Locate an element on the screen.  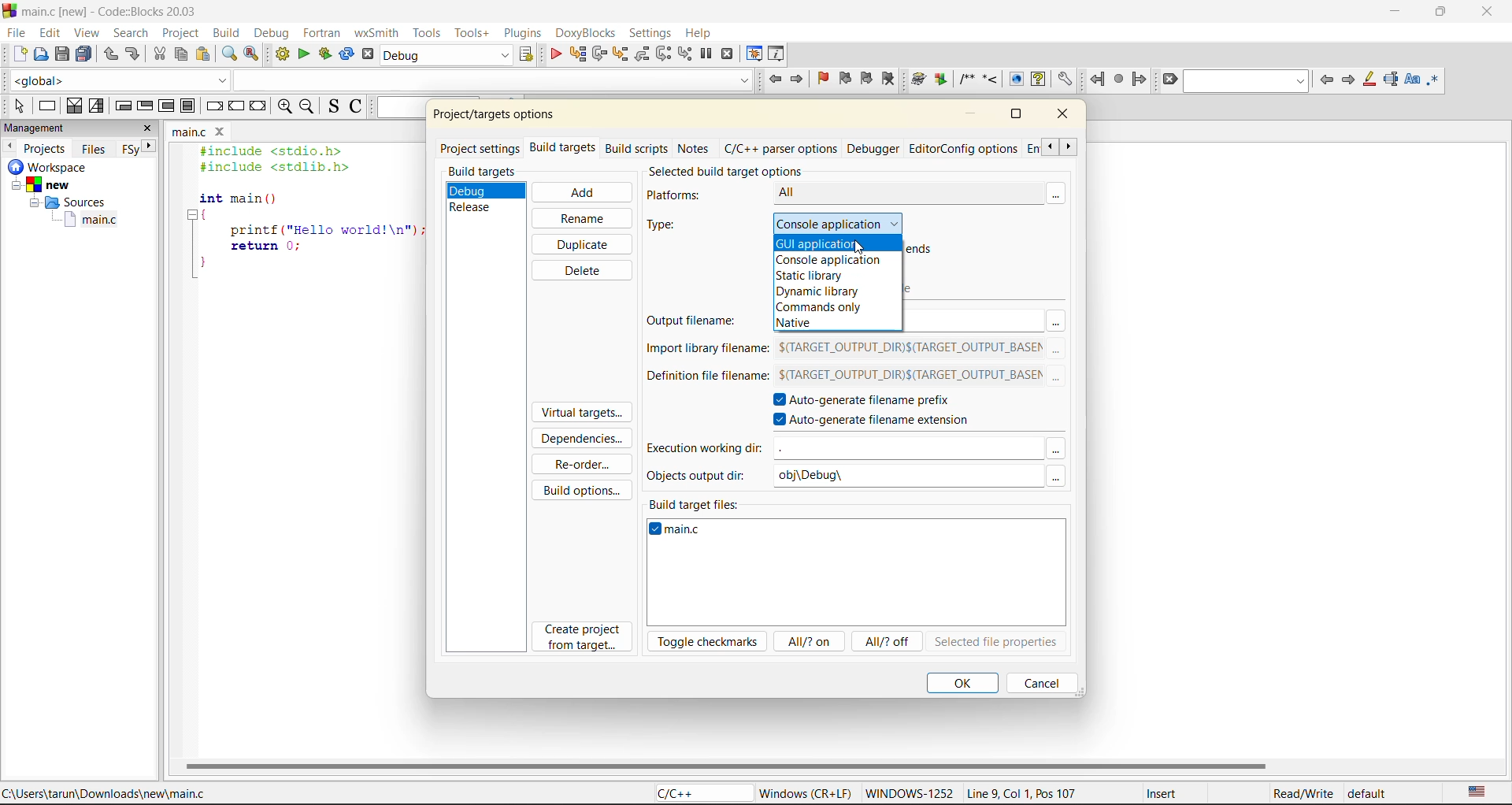
Run doxywizard is located at coordinates (918, 80).